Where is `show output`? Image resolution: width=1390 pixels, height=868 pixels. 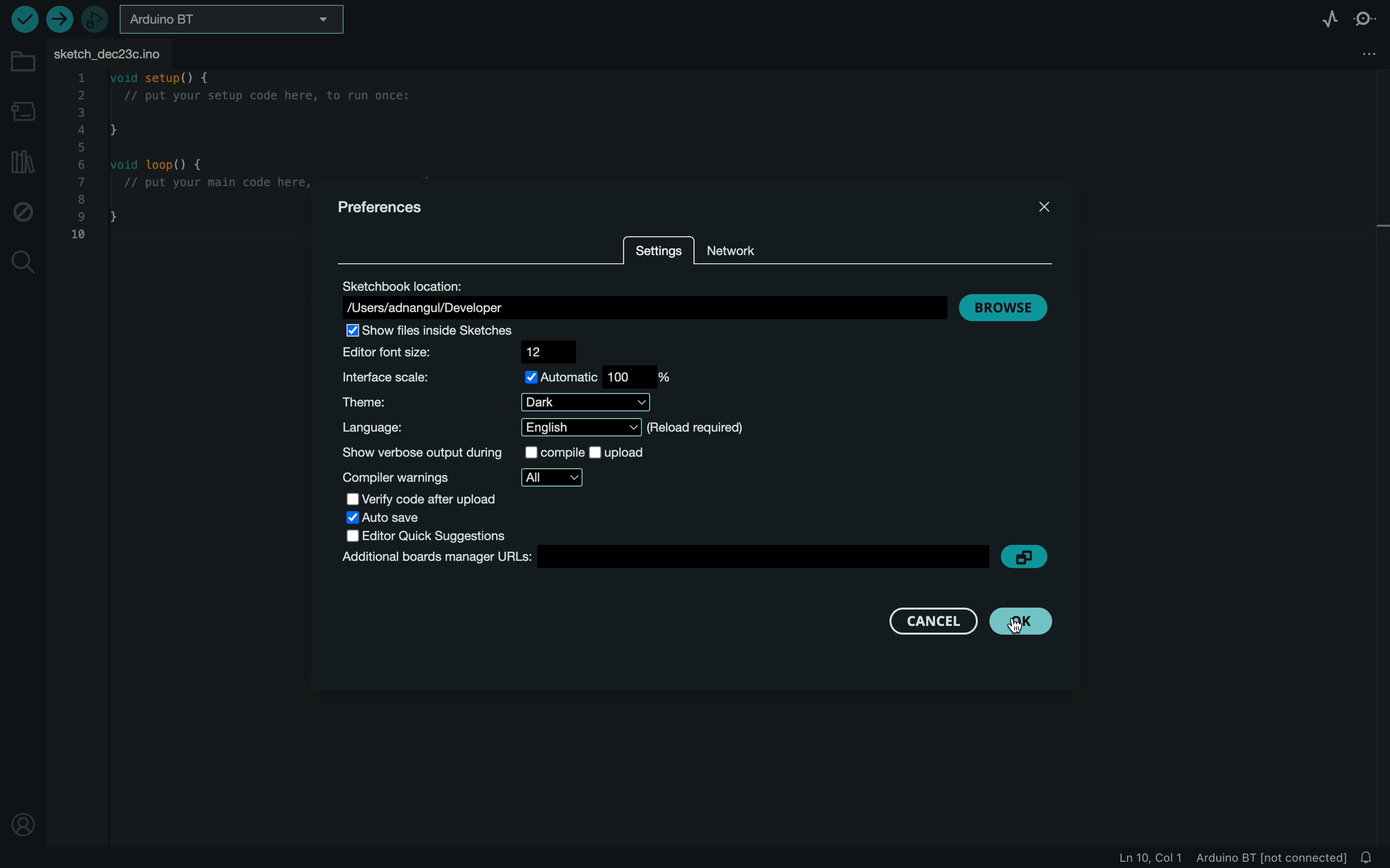
show output is located at coordinates (506, 454).